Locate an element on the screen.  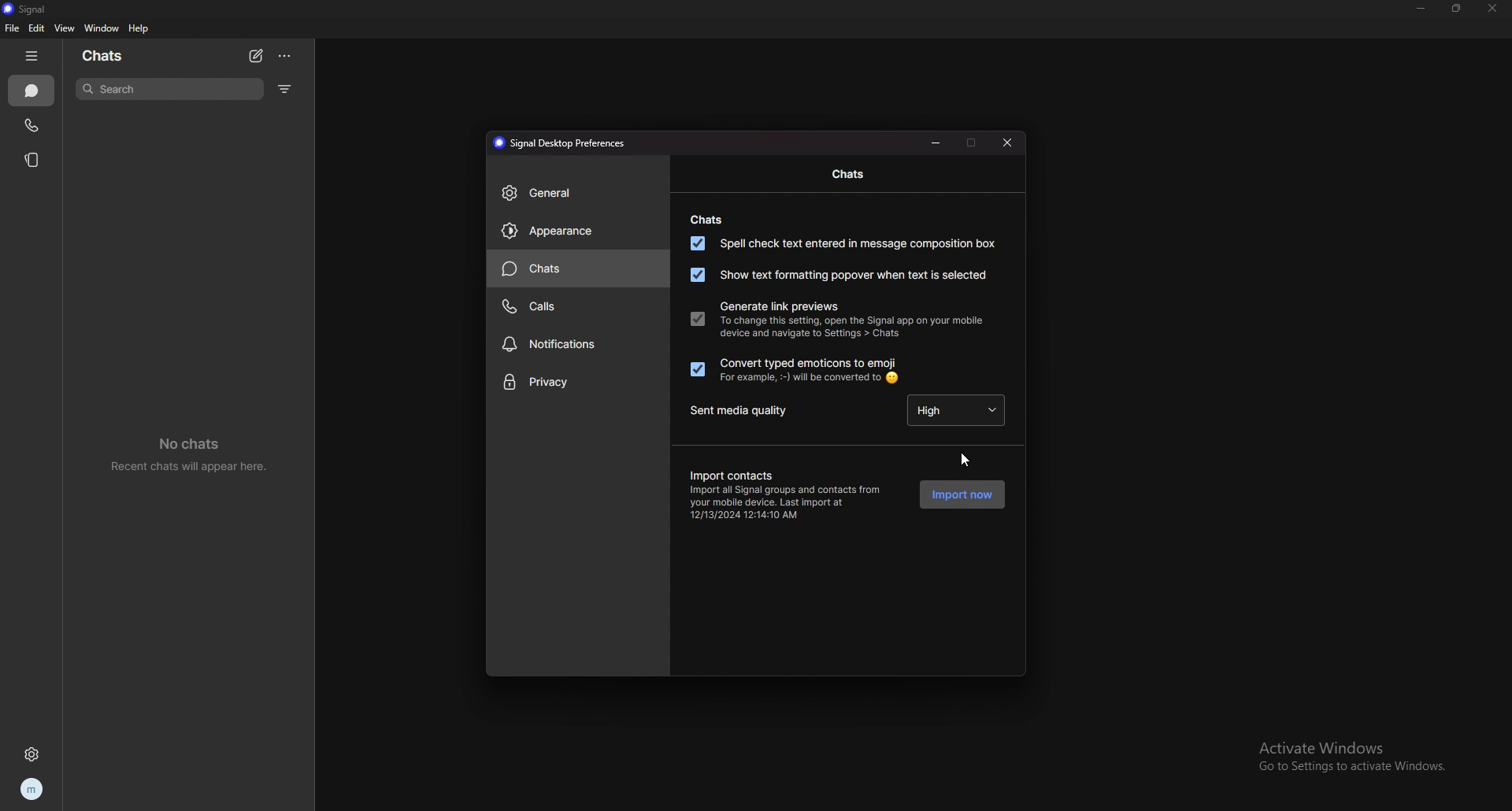
signal is located at coordinates (35, 9).